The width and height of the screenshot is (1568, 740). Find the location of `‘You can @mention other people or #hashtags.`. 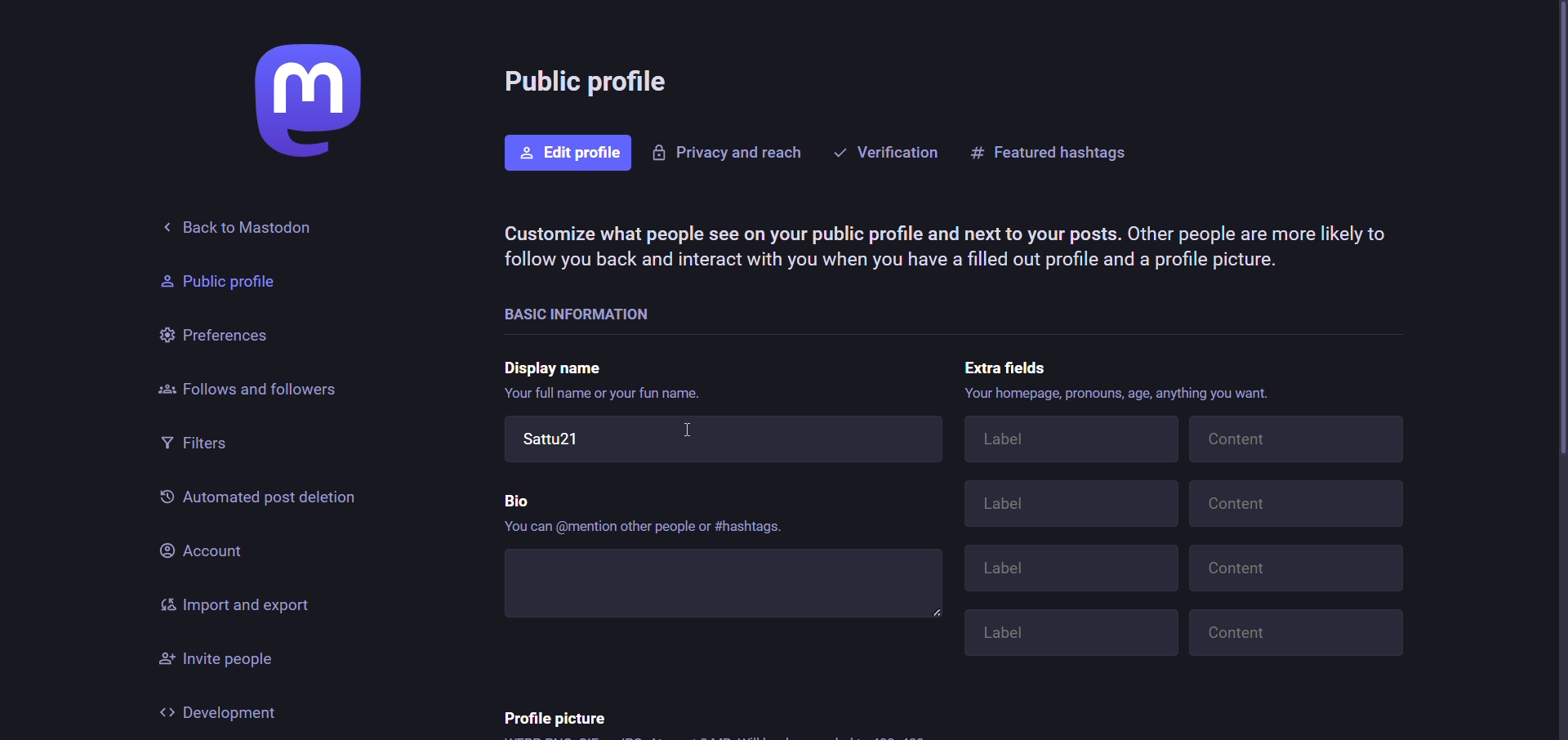

‘You can @mention other people or #hashtags. is located at coordinates (642, 529).